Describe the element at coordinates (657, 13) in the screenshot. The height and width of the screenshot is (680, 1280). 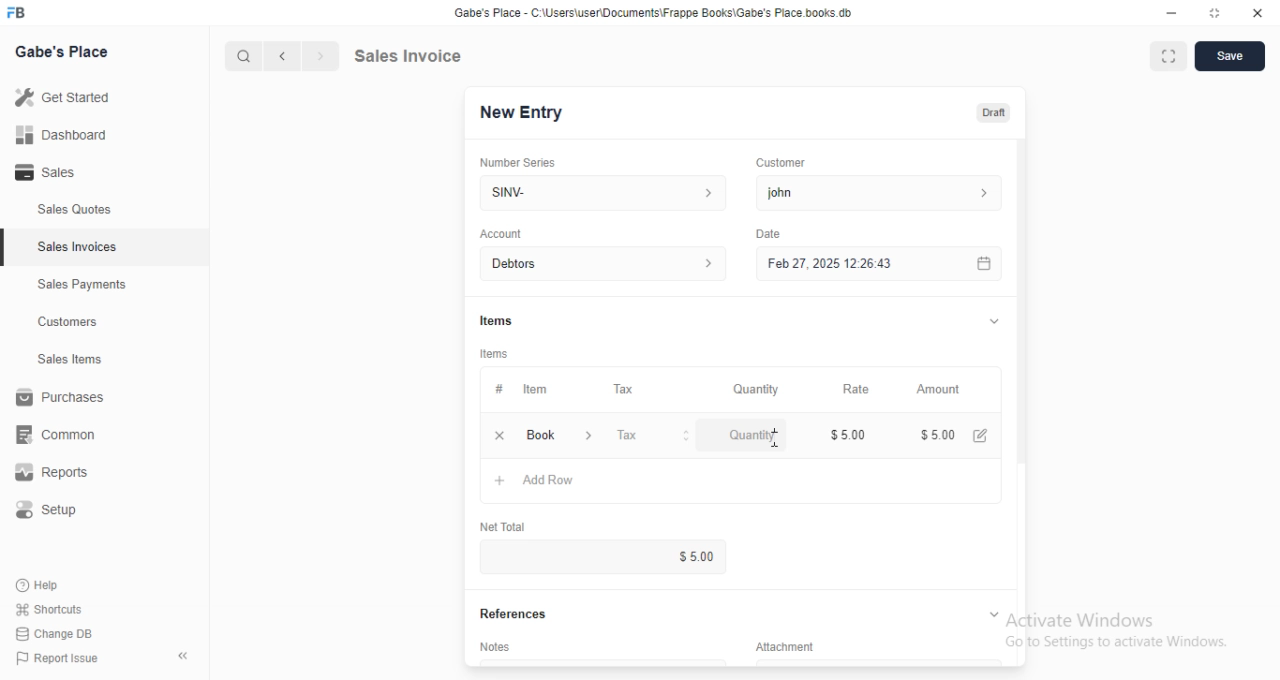
I see `Gabe's Place - C'\Users\userDocuments\Frappe Books\Gabe's Place books db` at that location.